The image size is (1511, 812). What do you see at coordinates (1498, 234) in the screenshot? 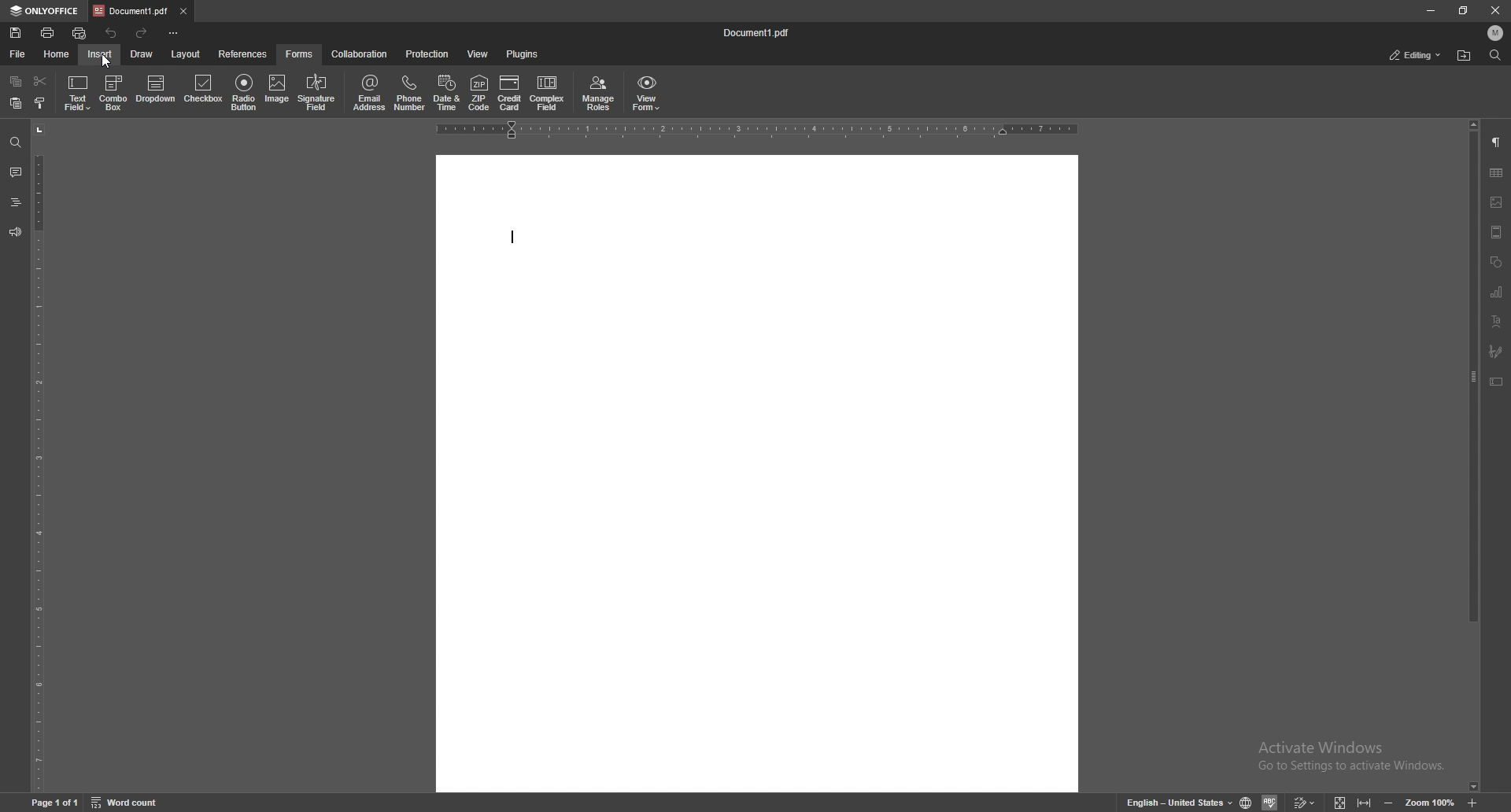
I see `header` at bounding box center [1498, 234].